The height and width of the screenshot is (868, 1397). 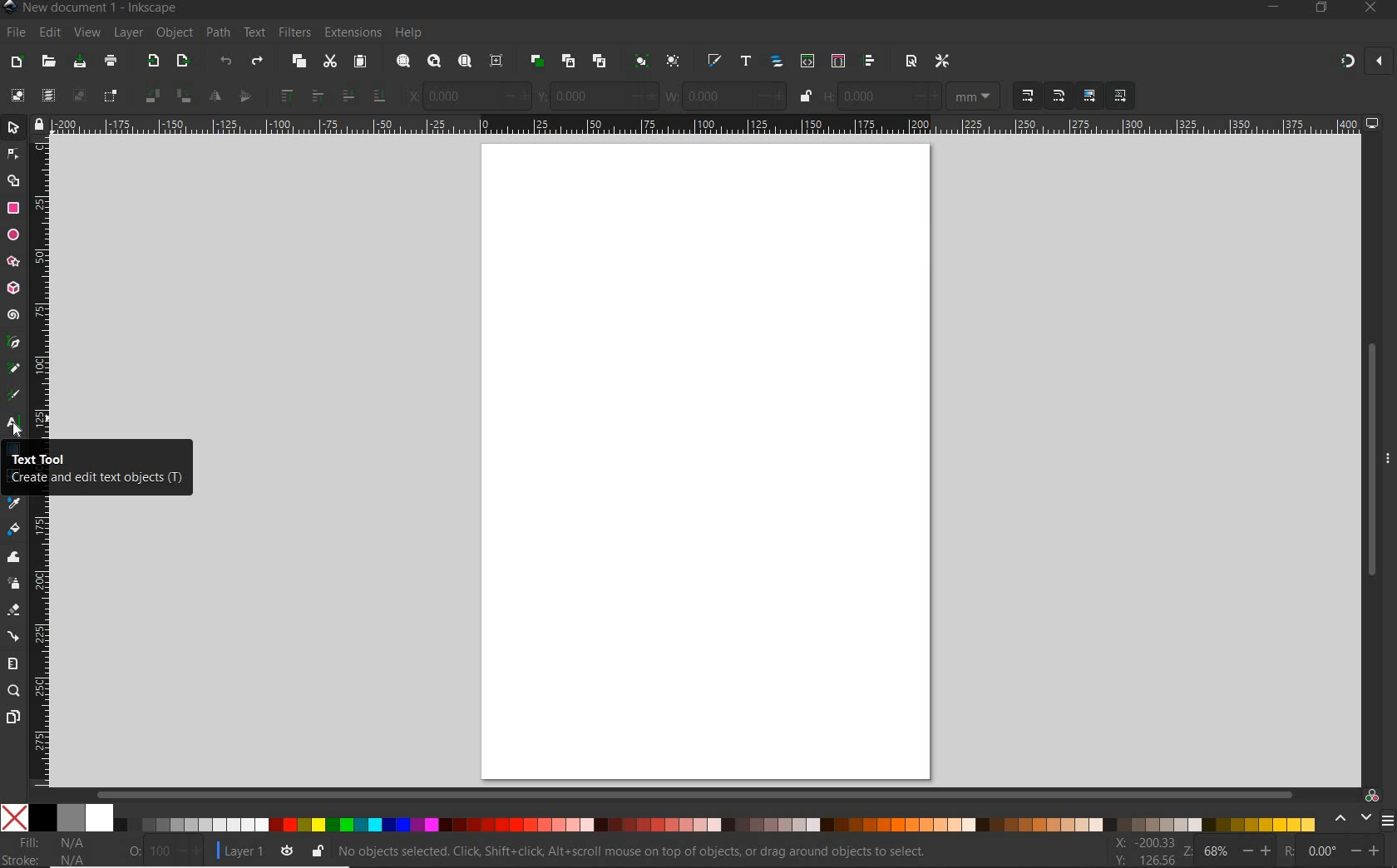 I want to click on toggle currnt layer, so click(x=287, y=850).